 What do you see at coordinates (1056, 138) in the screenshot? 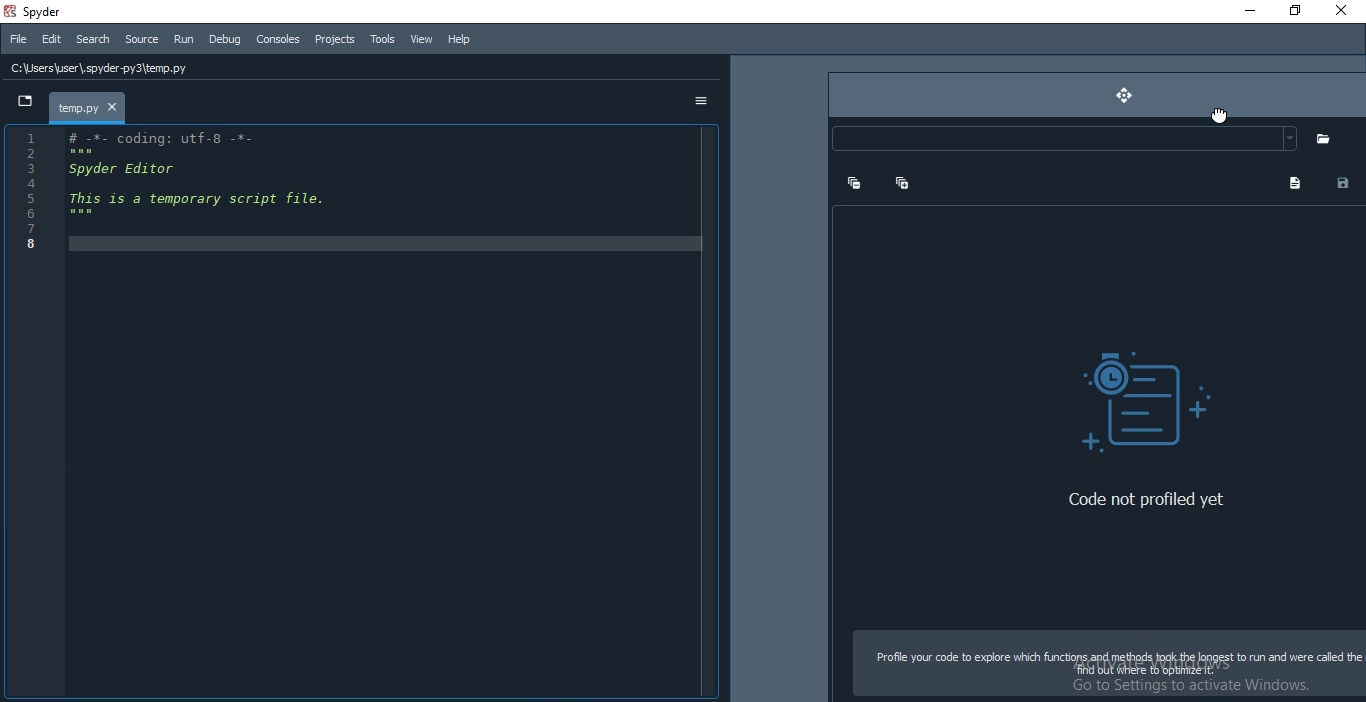
I see `input element` at bounding box center [1056, 138].